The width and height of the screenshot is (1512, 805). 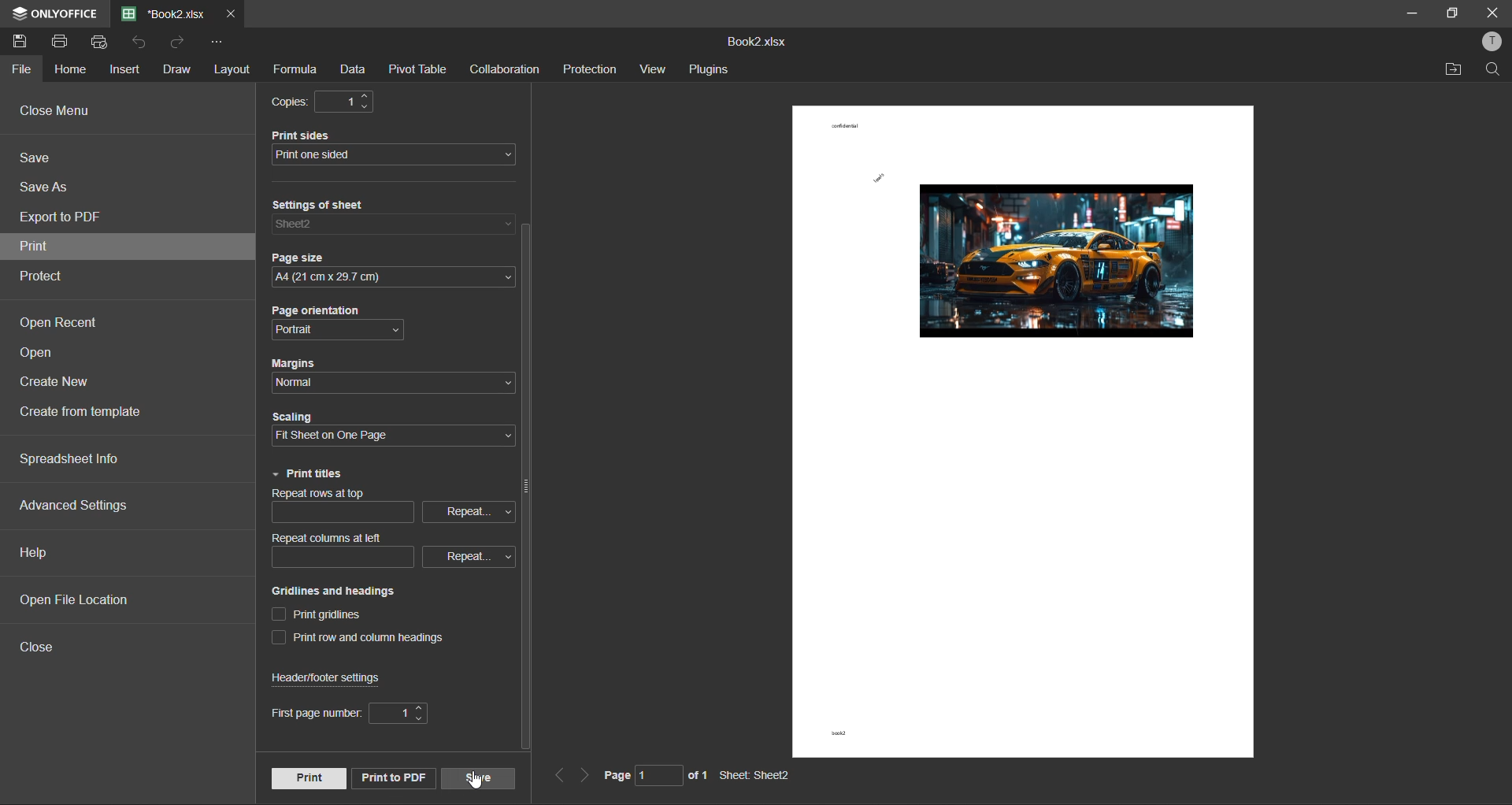 What do you see at coordinates (166, 13) in the screenshot?
I see `filename` at bounding box center [166, 13].